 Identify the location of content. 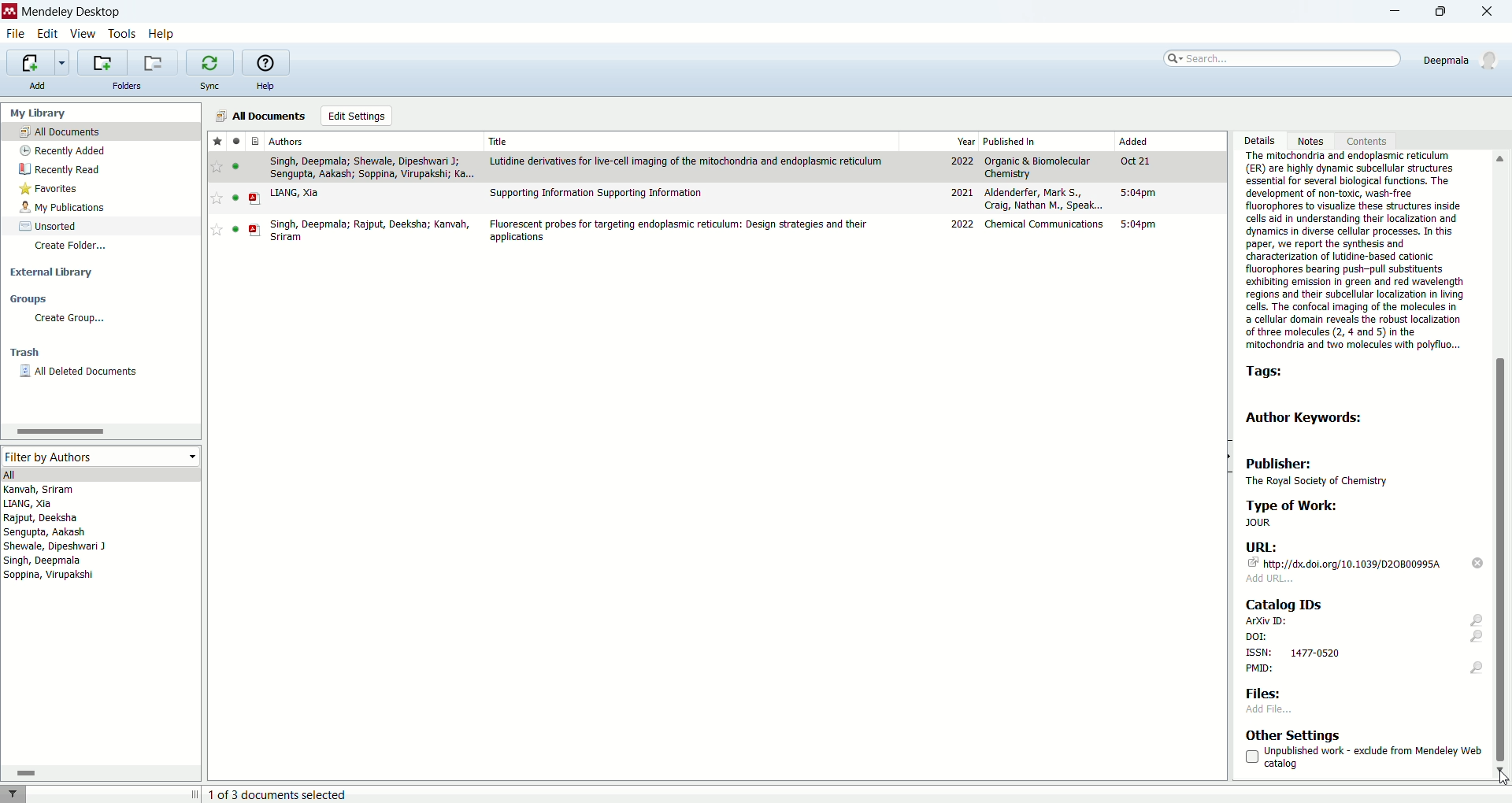
(1364, 140).